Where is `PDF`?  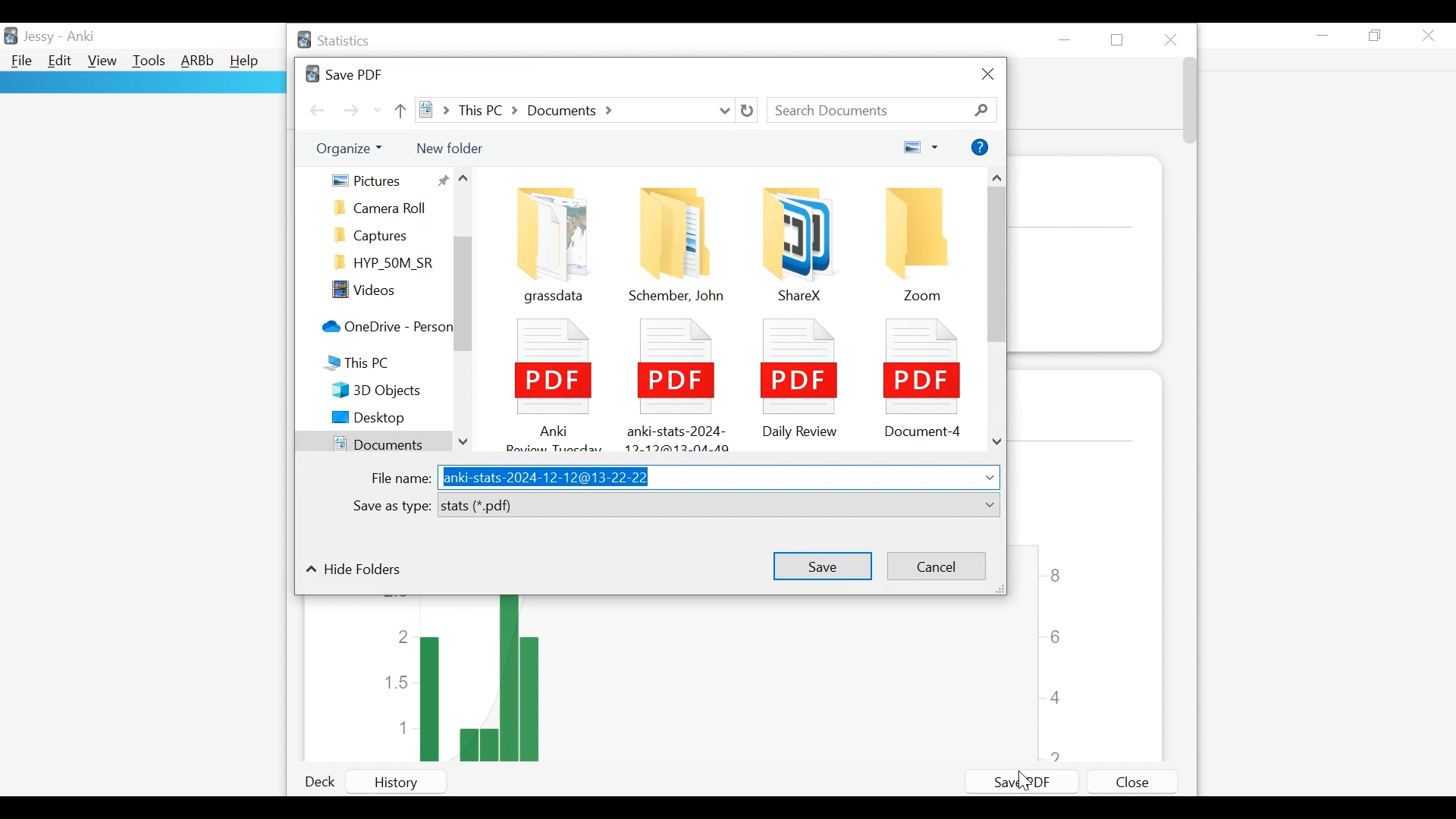
PDF is located at coordinates (675, 380).